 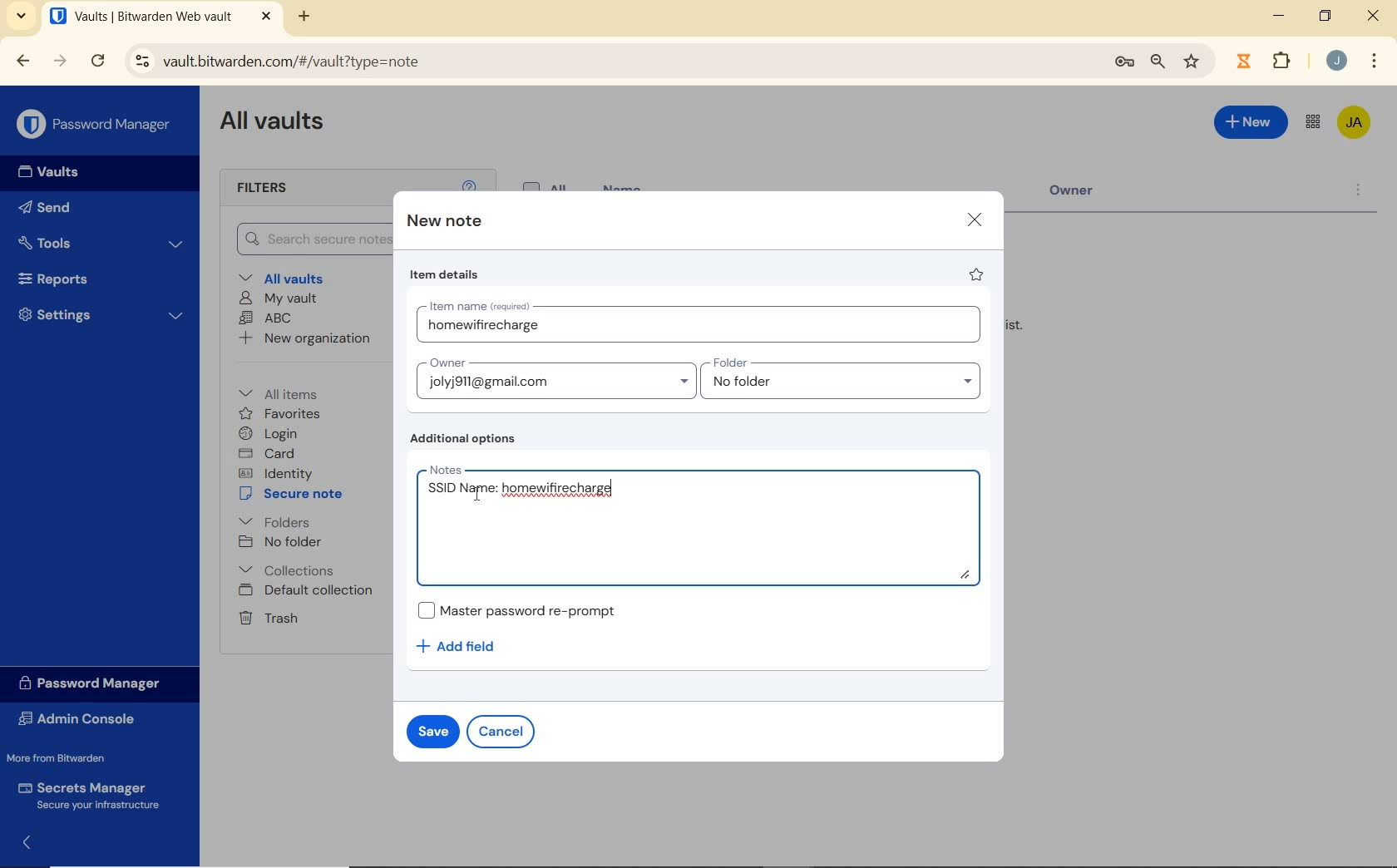 What do you see at coordinates (278, 299) in the screenshot?
I see `My Vault` at bounding box center [278, 299].